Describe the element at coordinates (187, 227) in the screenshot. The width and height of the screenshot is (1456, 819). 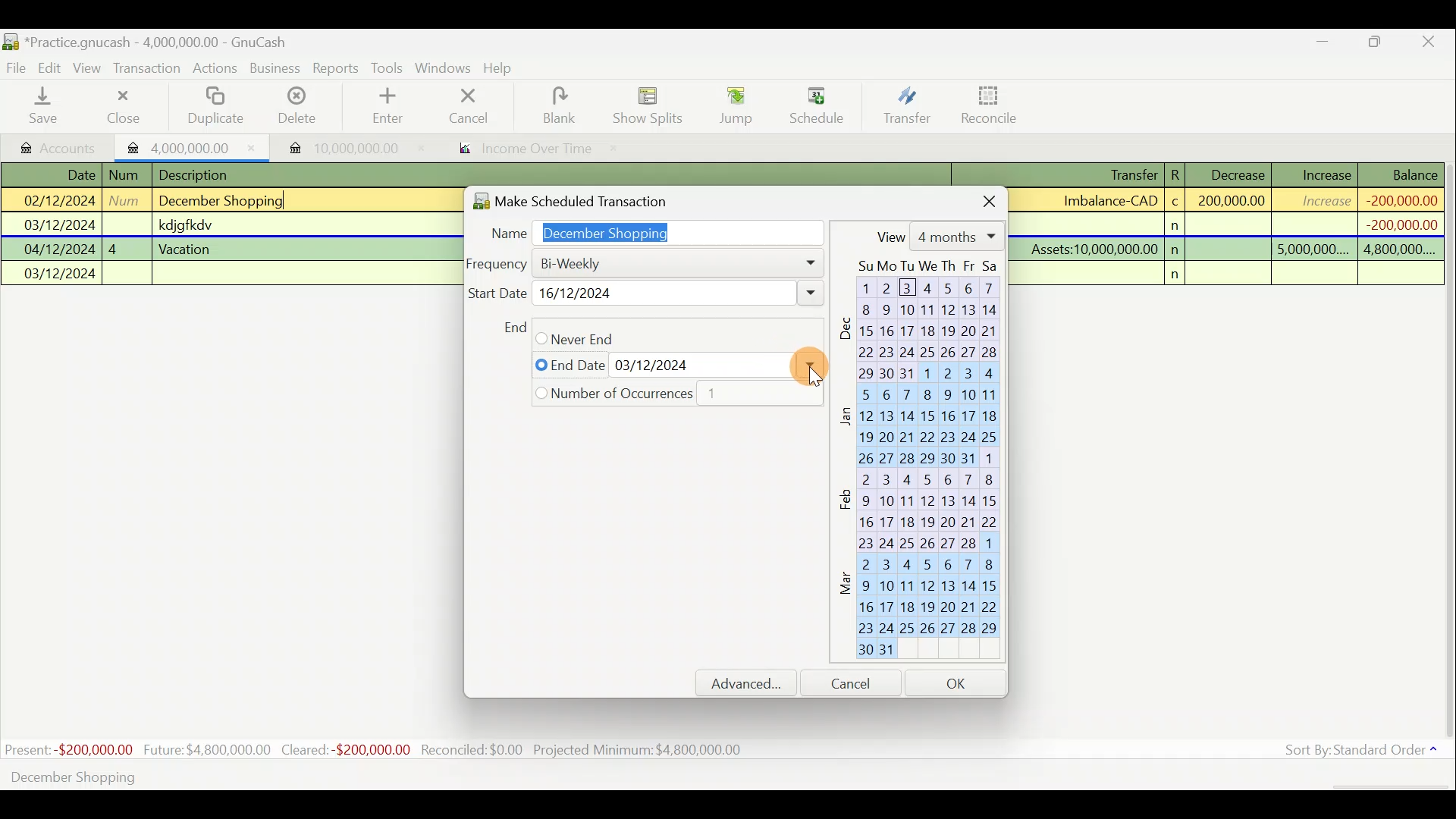
I see `Lines of transactions` at that location.